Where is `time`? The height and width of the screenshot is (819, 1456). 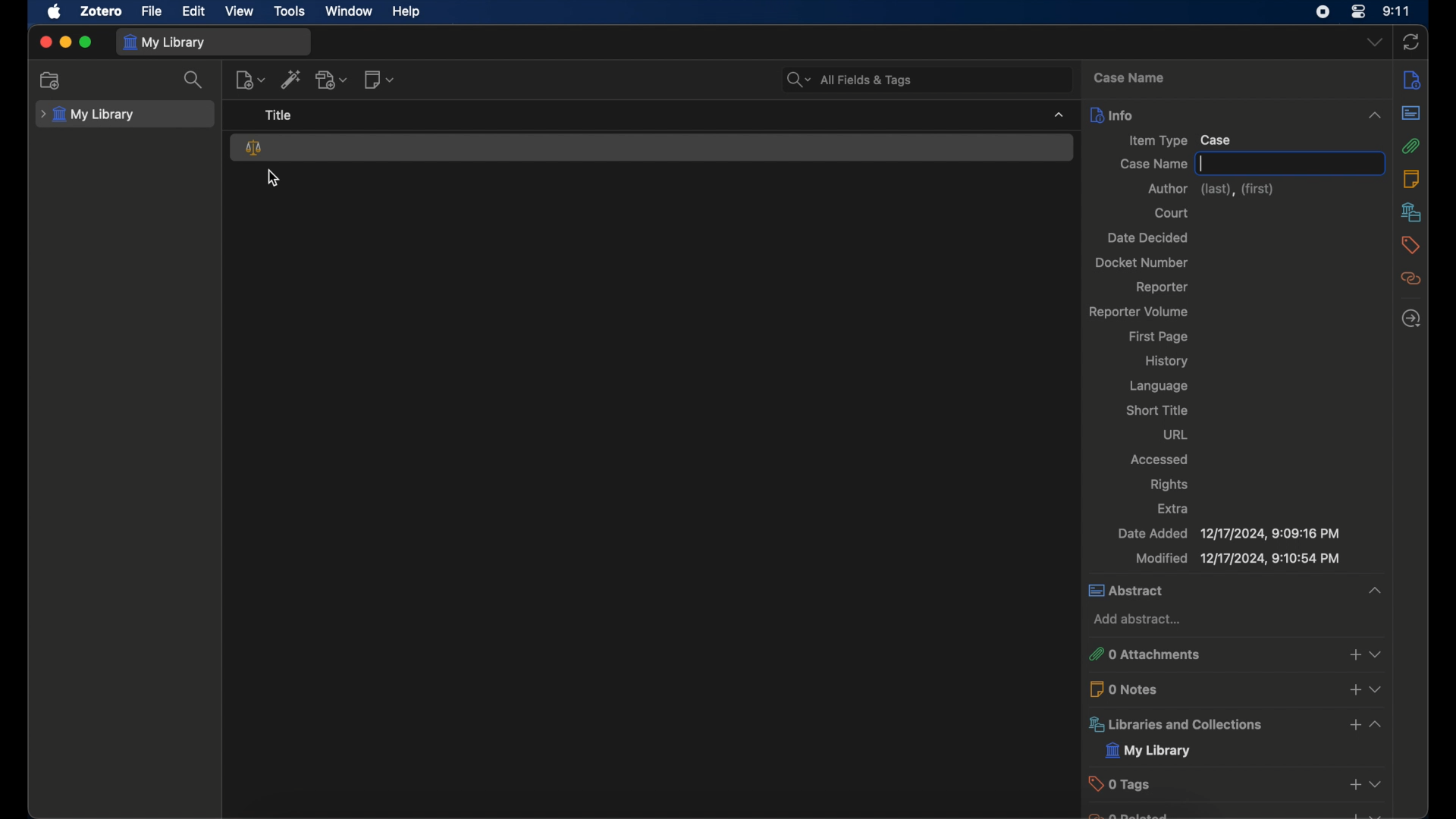
time is located at coordinates (1396, 11).